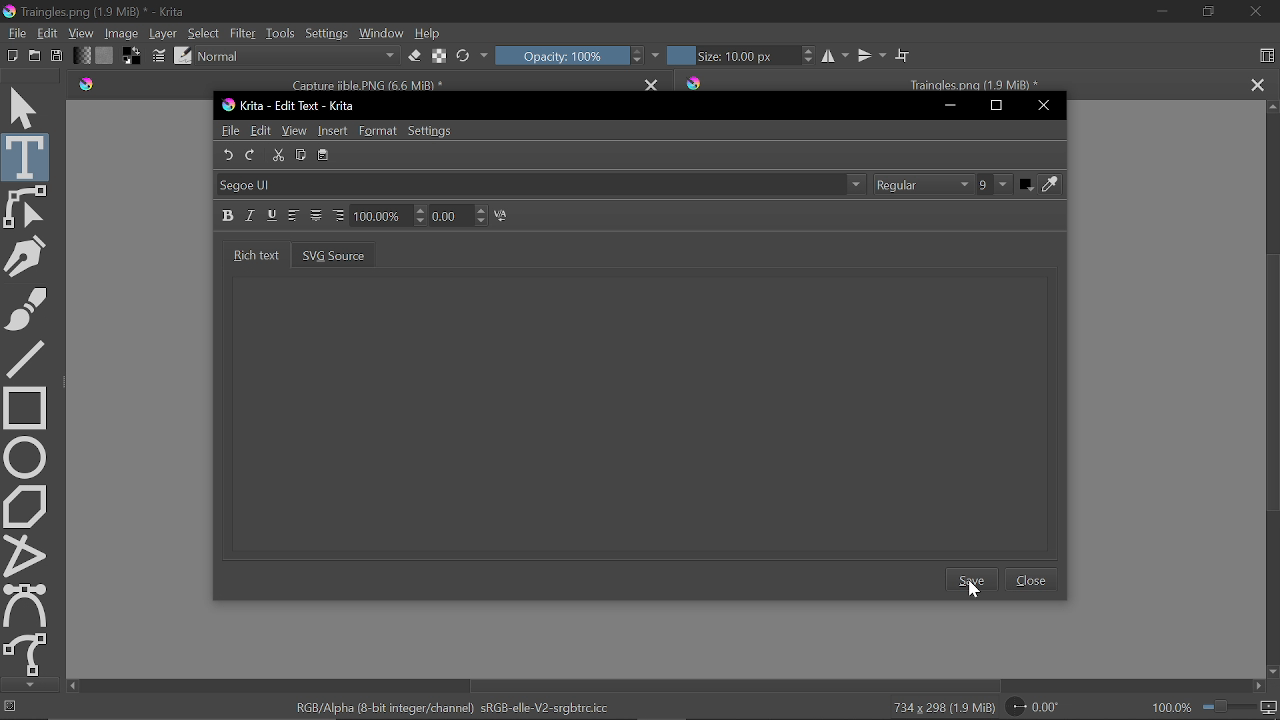 The height and width of the screenshot is (720, 1280). What do you see at coordinates (506, 217) in the screenshot?
I see `Kering` at bounding box center [506, 217].